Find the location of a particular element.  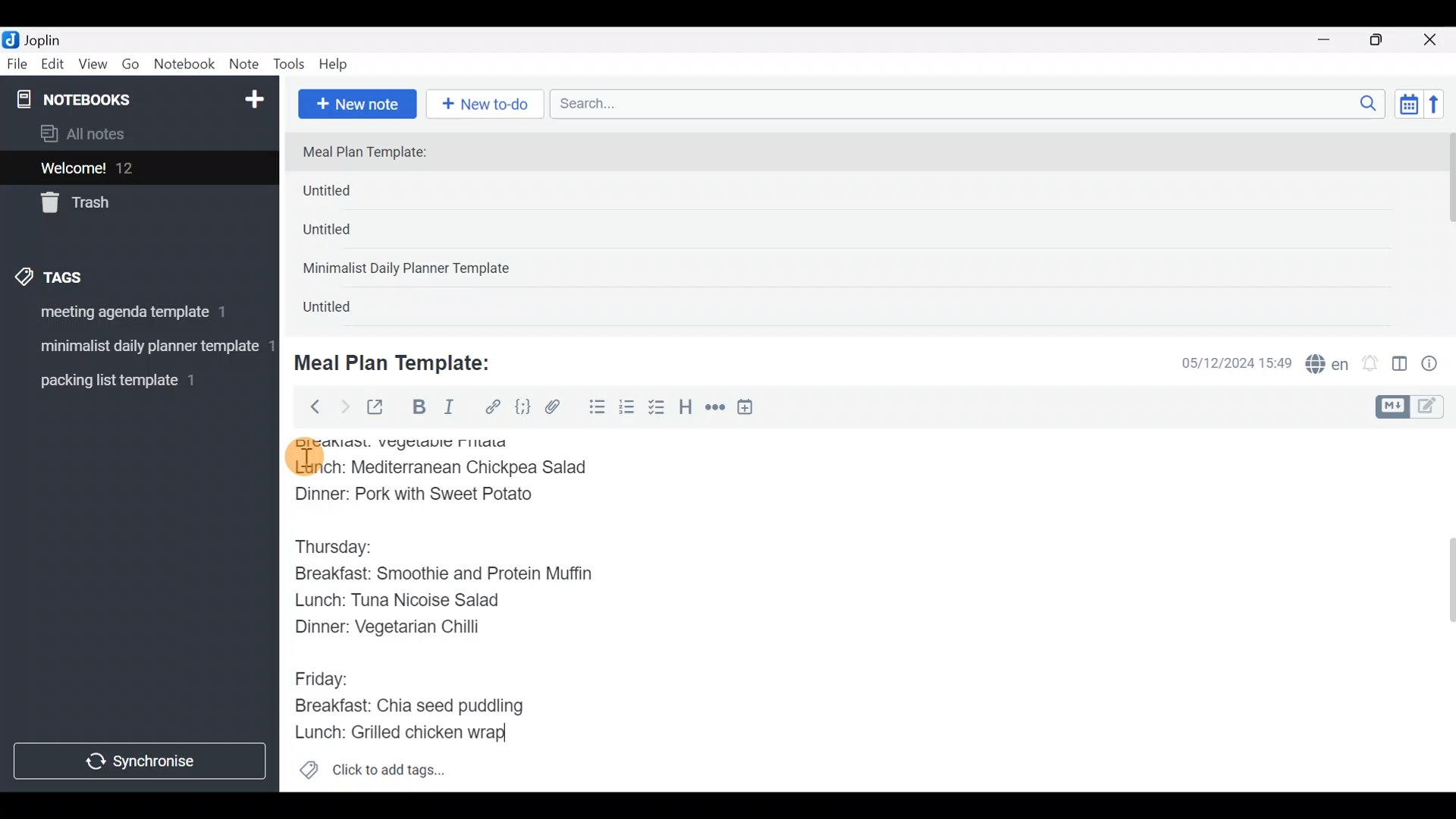

Date & time is located at coordinates (1225, 362).